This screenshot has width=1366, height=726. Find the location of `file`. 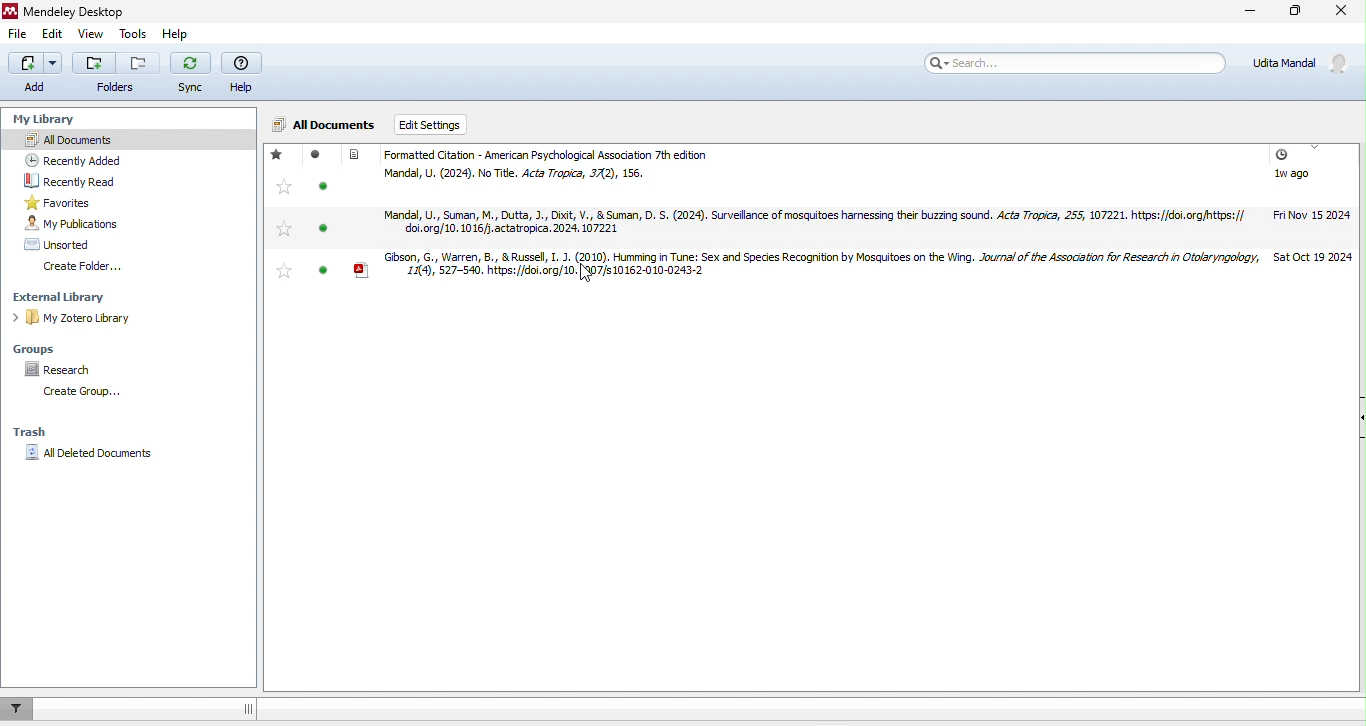

file is located at coordinates (19, 32).